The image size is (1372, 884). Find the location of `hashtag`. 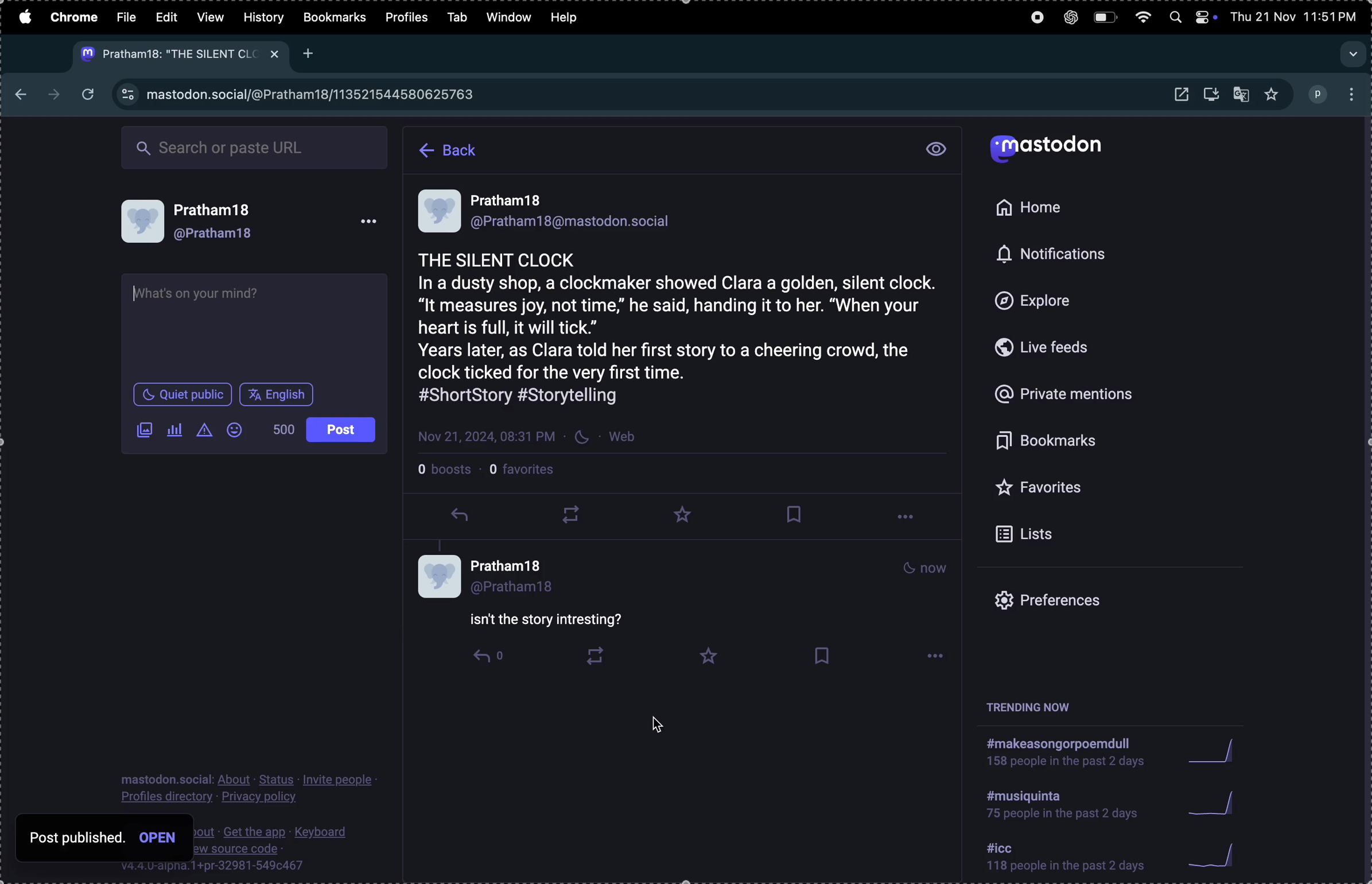

hashtag is located at coordinates (1067, 803).